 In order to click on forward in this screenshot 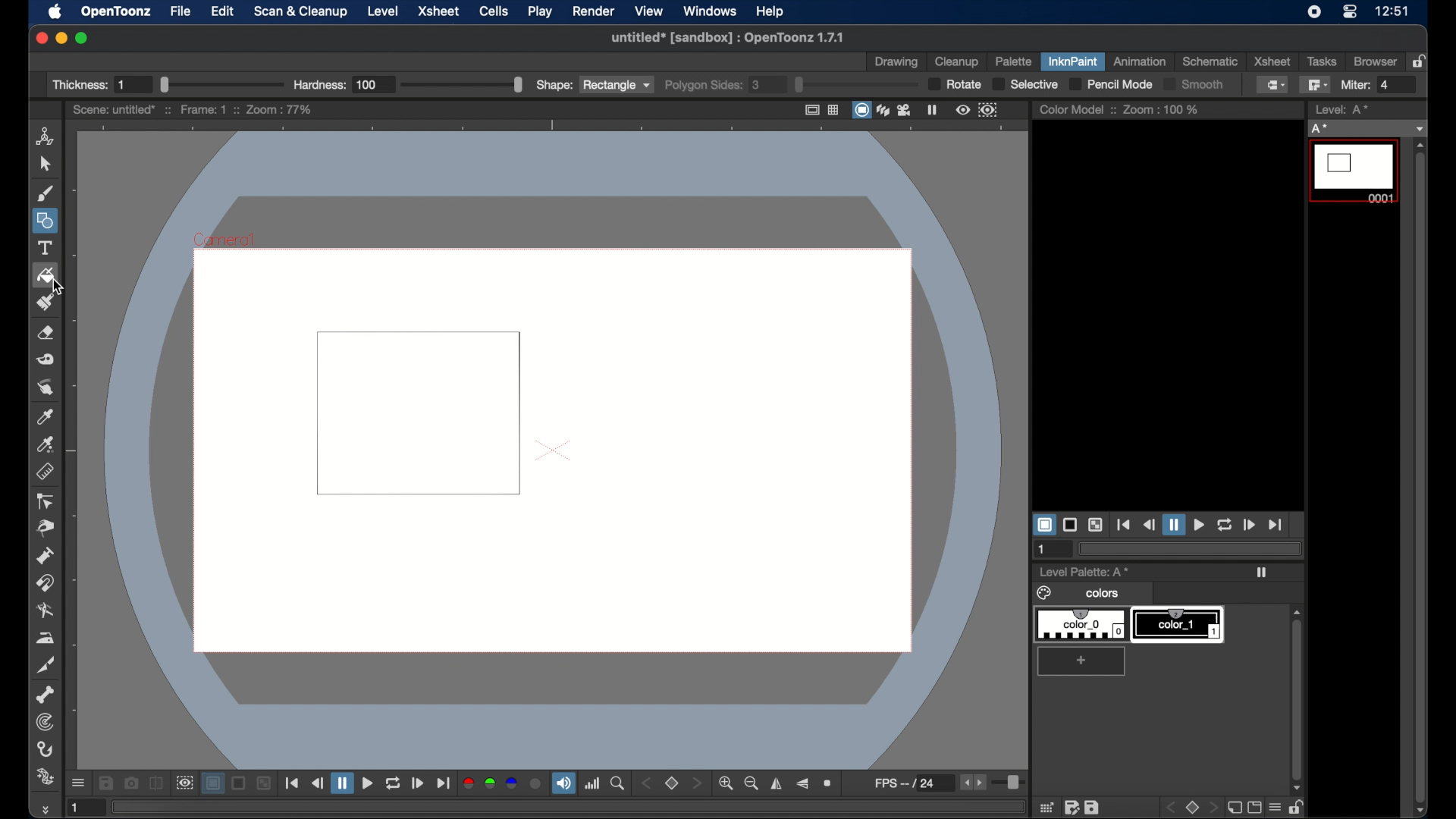, I will do `click(1248, 524)`.